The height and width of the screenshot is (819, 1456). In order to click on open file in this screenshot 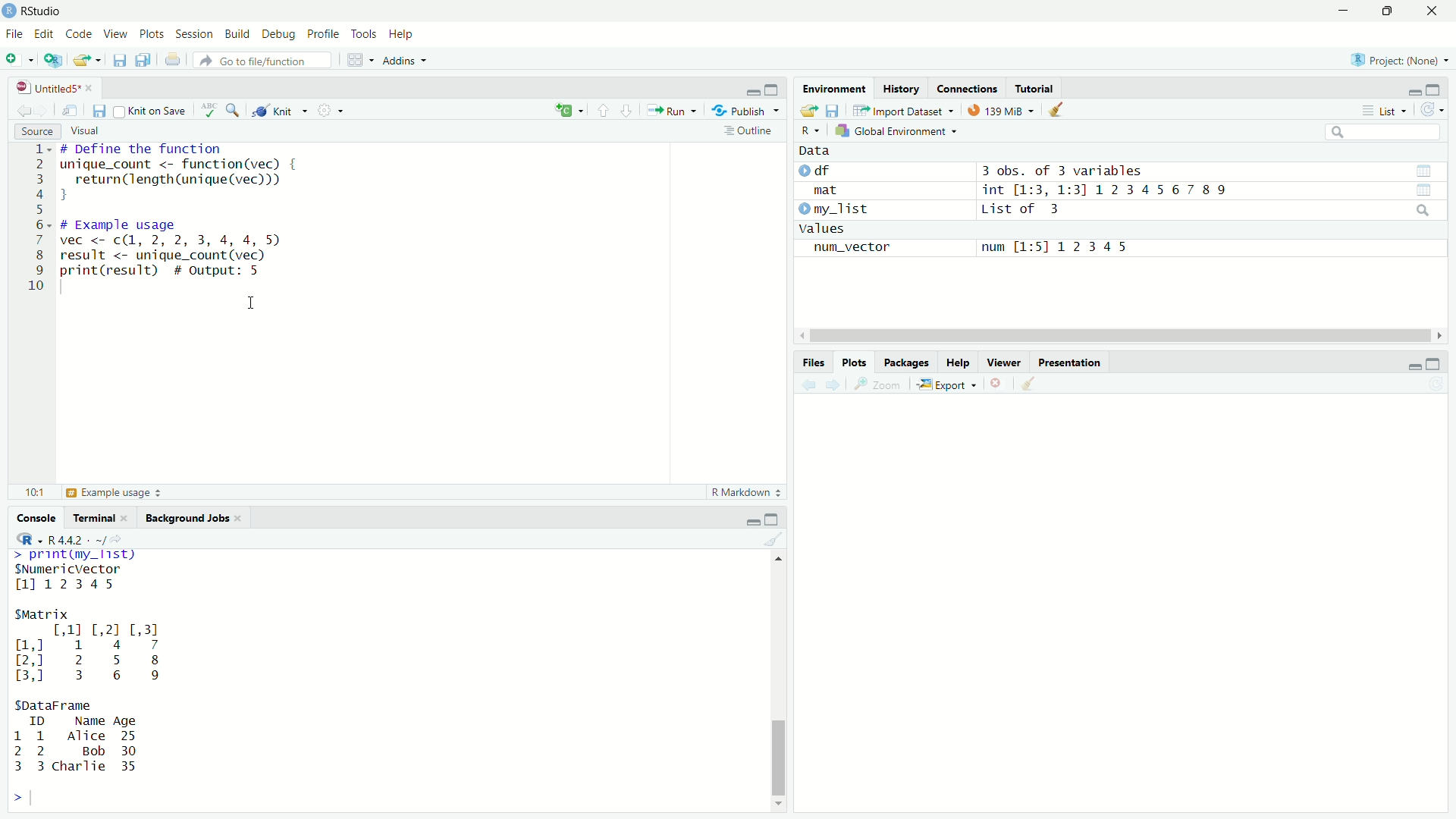, I will do `click(83, 61)`.